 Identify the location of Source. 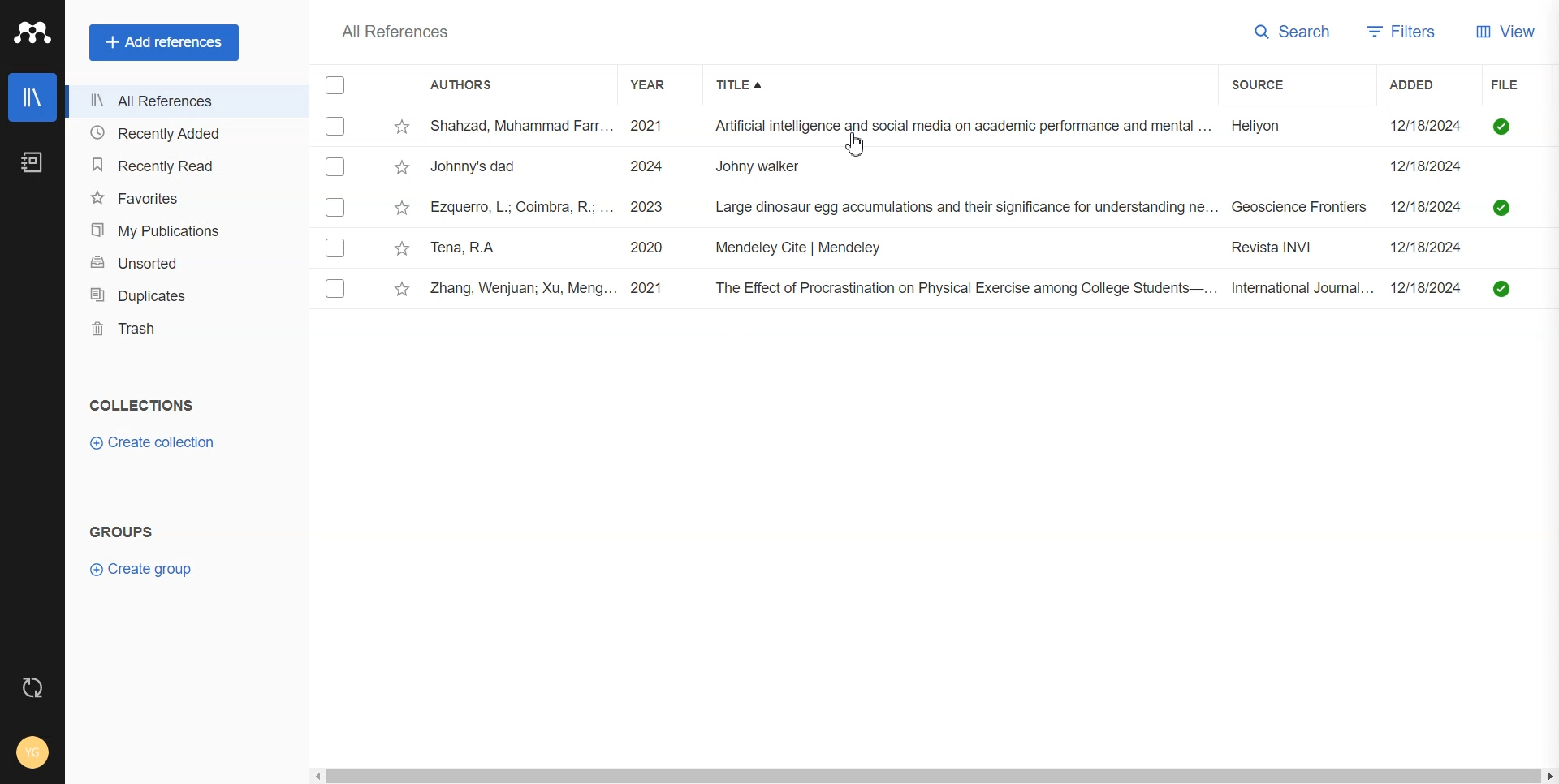
(1279, 84).